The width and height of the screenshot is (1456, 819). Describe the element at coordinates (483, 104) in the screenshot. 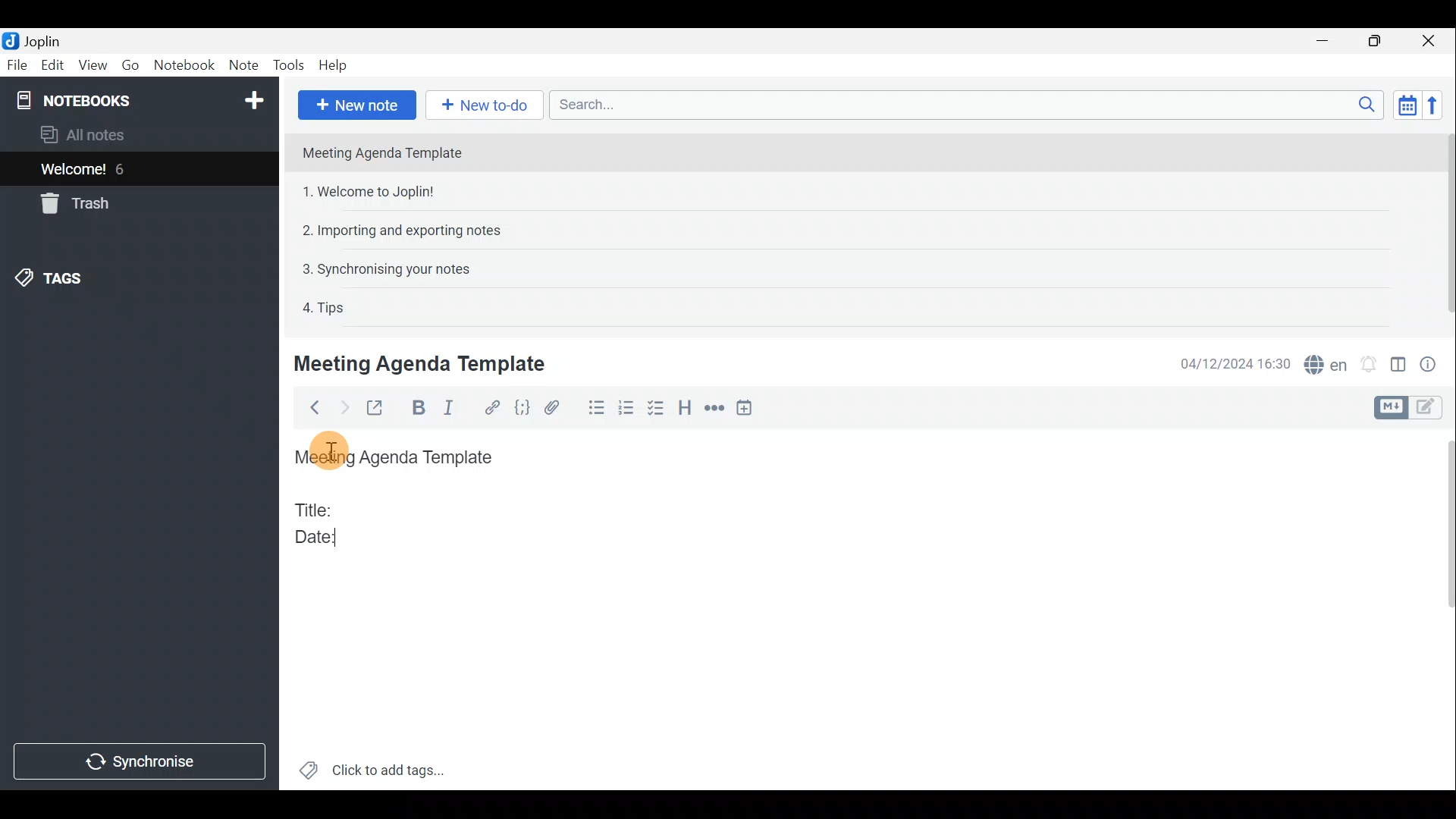

I see `New to-do` at that location.